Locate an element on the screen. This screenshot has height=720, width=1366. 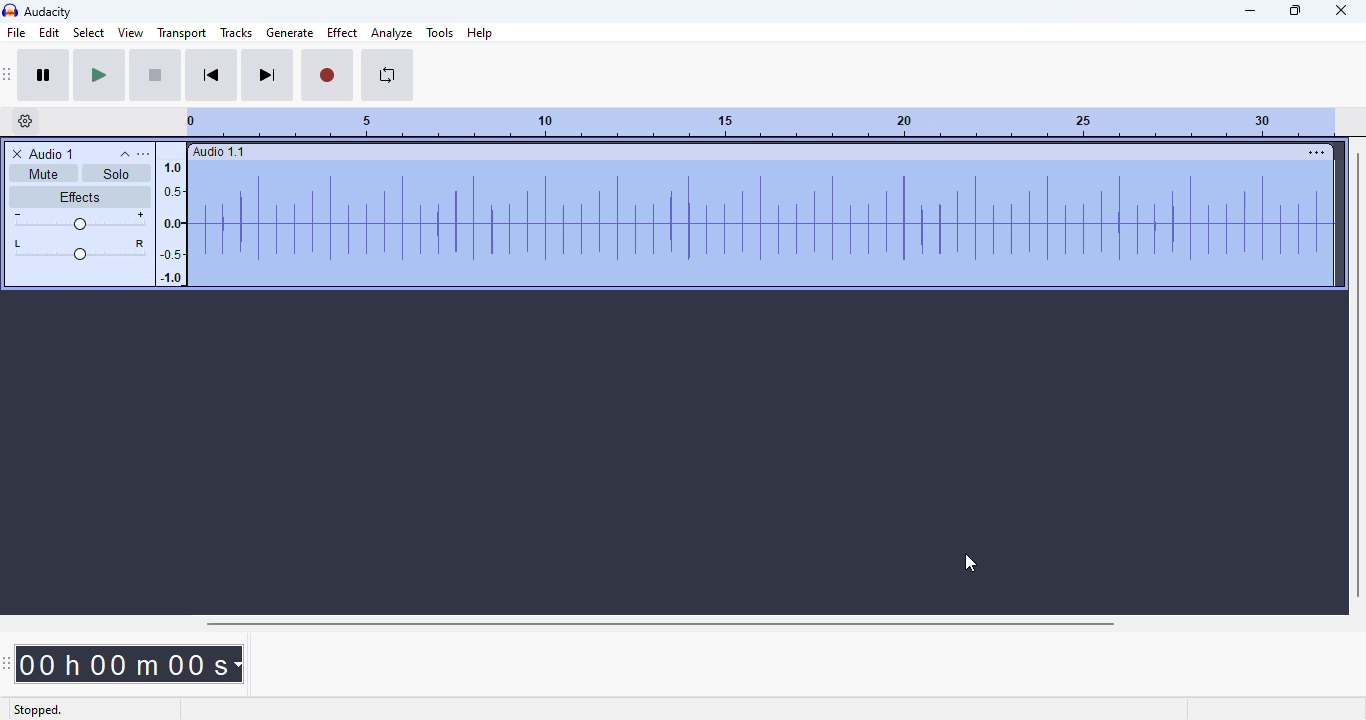
delete track is located at coordinates (17, 154).